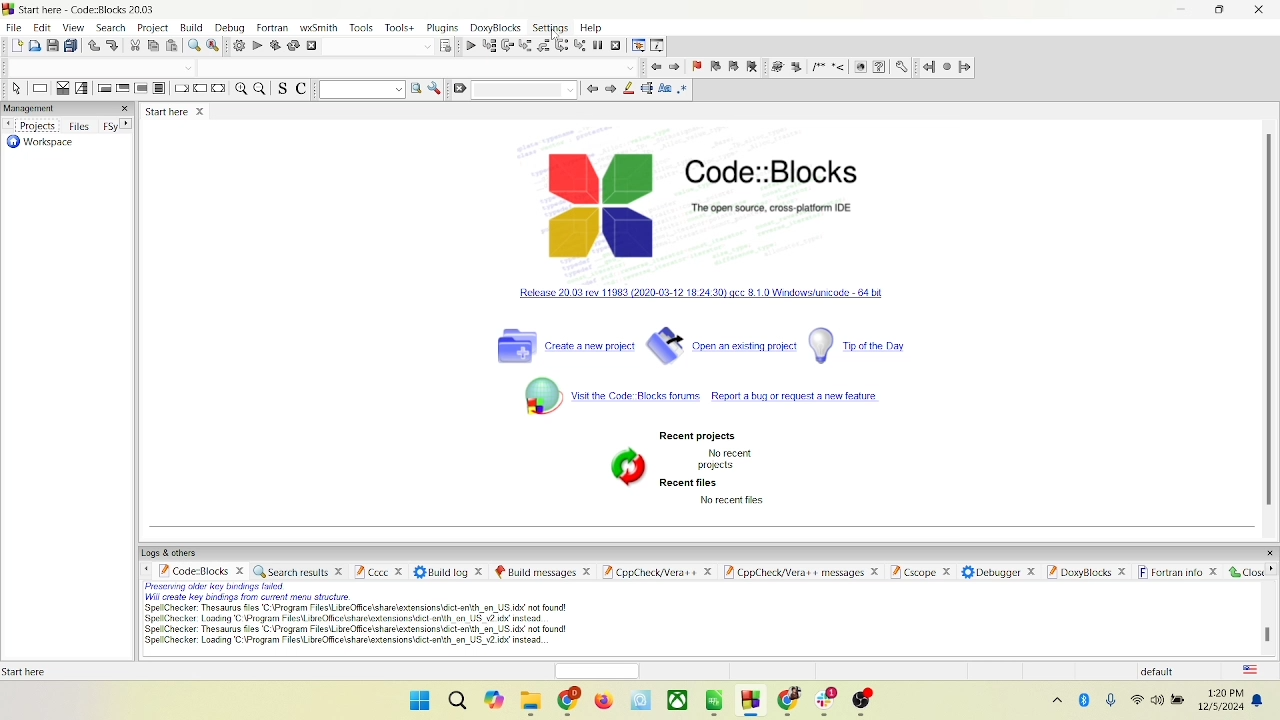 Image resolution: width=1280 pixels, height=720 pixels. Describe the element at coordinates (304, 91) in the screenshot. I see `toggle comment` at that location.